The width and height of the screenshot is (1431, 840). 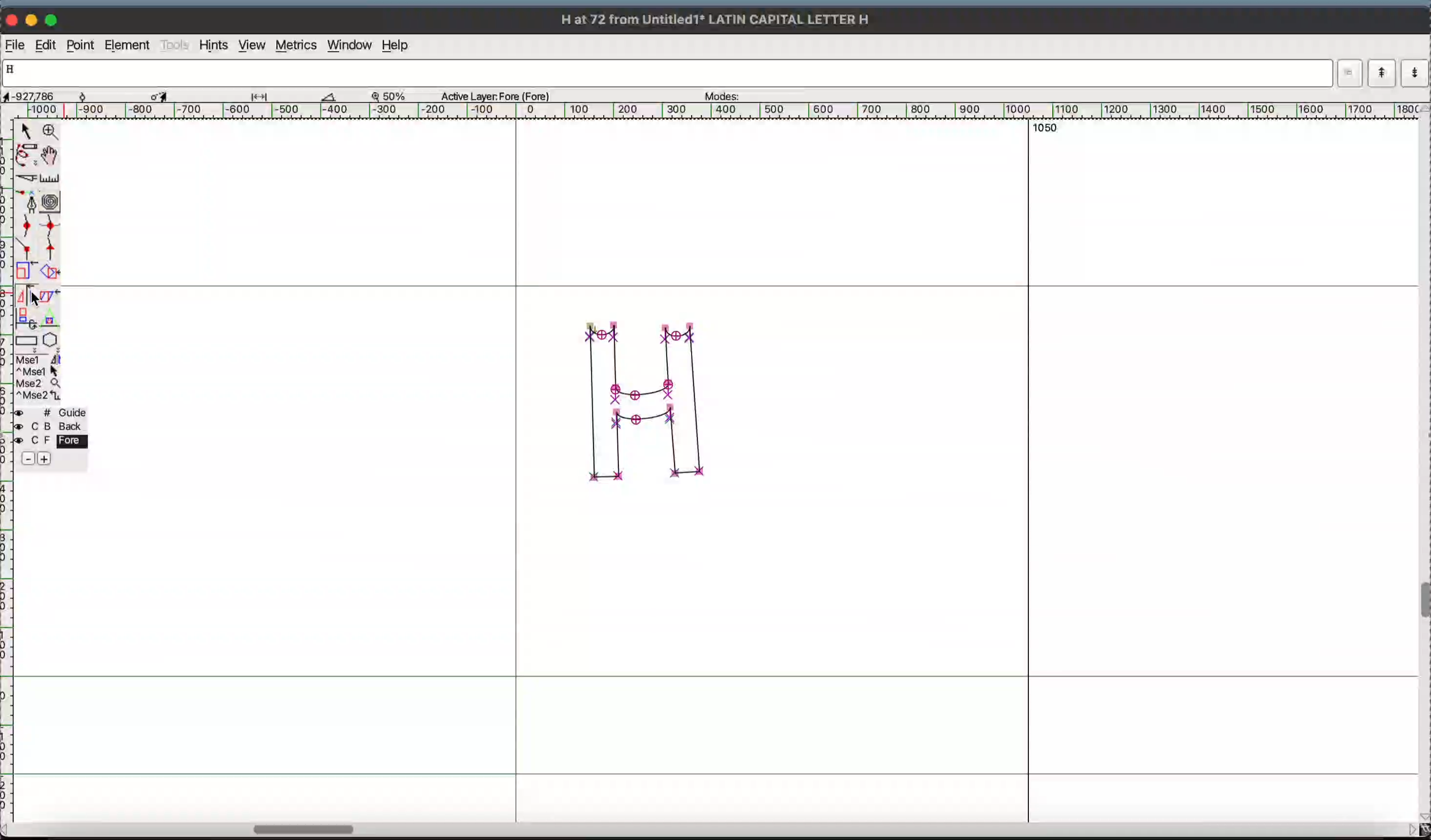 What do you see at coordinates (26, 318) in the screenshot?
I see `3d rotate` at bounding box center [26, 318].